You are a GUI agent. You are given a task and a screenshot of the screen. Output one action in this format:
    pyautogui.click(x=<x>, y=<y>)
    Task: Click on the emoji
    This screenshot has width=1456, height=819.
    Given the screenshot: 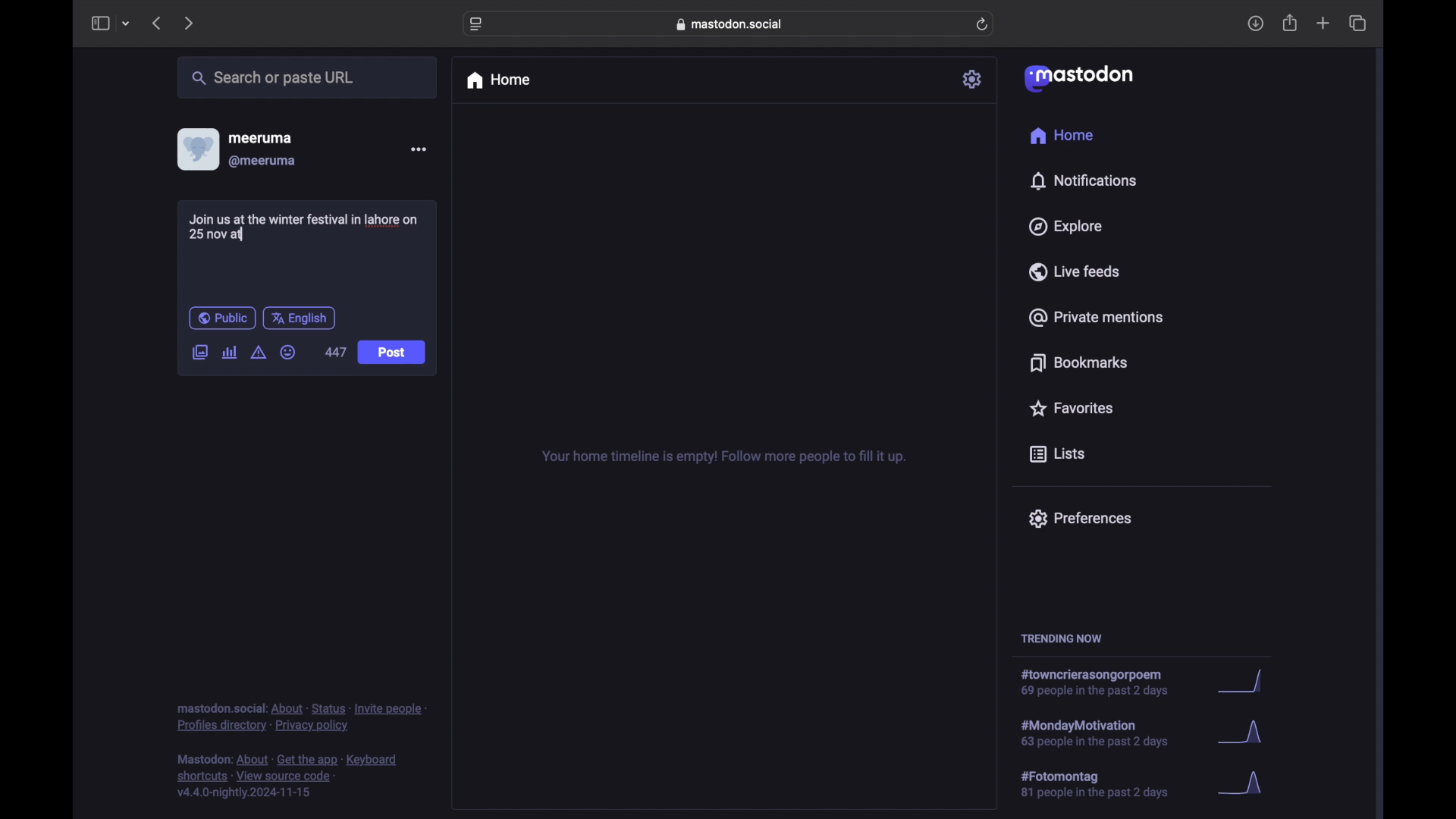 What is the action you would take?
    pyautogui.click(x=288, y=353)
    